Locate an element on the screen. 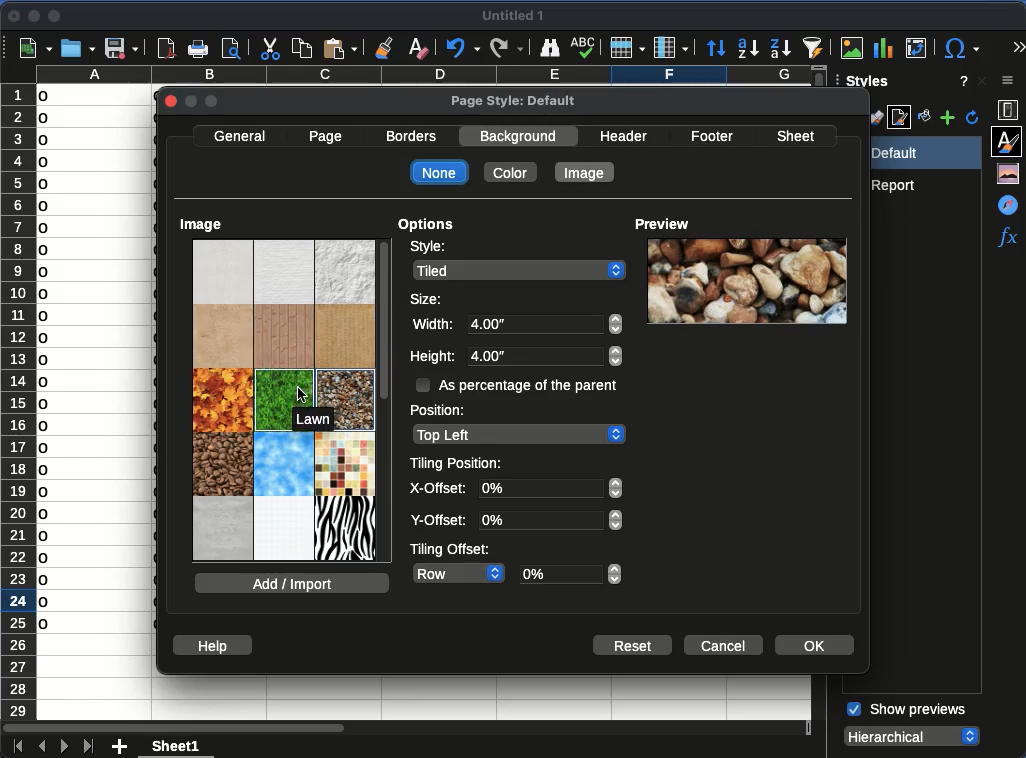 The image size is (1026, 758). general is located at coordinates (240, 137).